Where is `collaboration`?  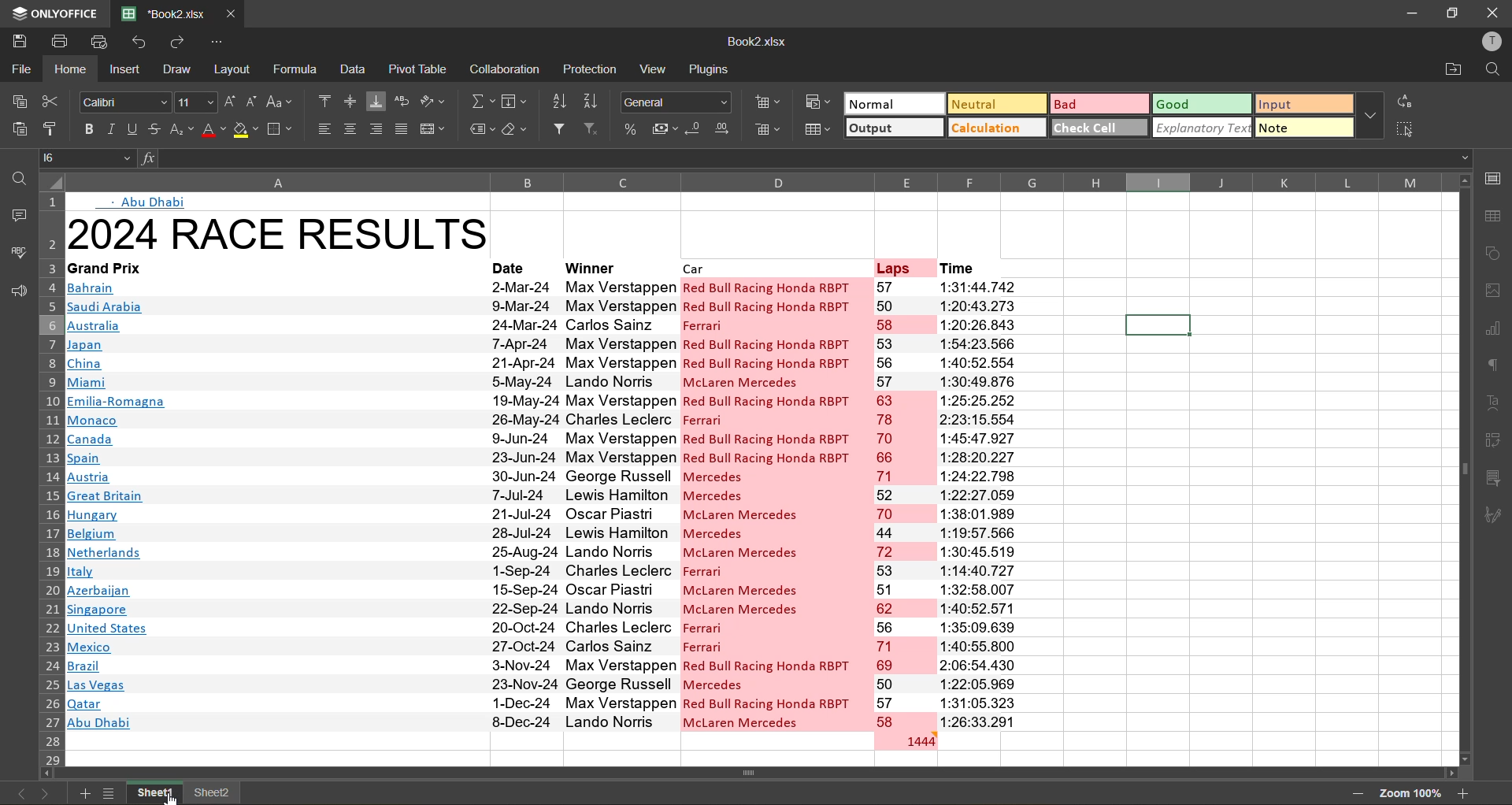 collaboration is located at coordinates (502, 70).